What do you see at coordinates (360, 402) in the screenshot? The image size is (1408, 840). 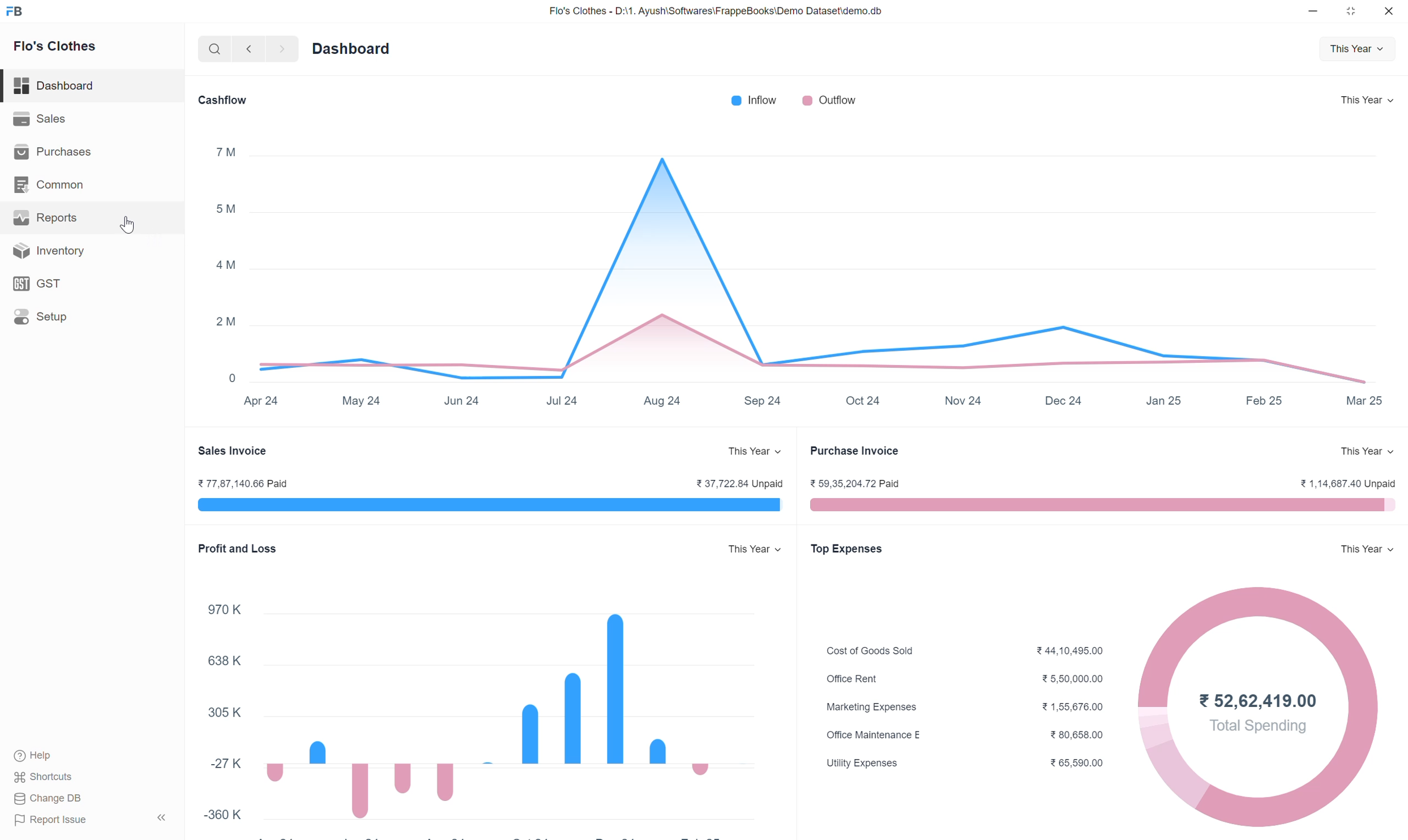 I see `May 24` at bounding box center [360, 402].